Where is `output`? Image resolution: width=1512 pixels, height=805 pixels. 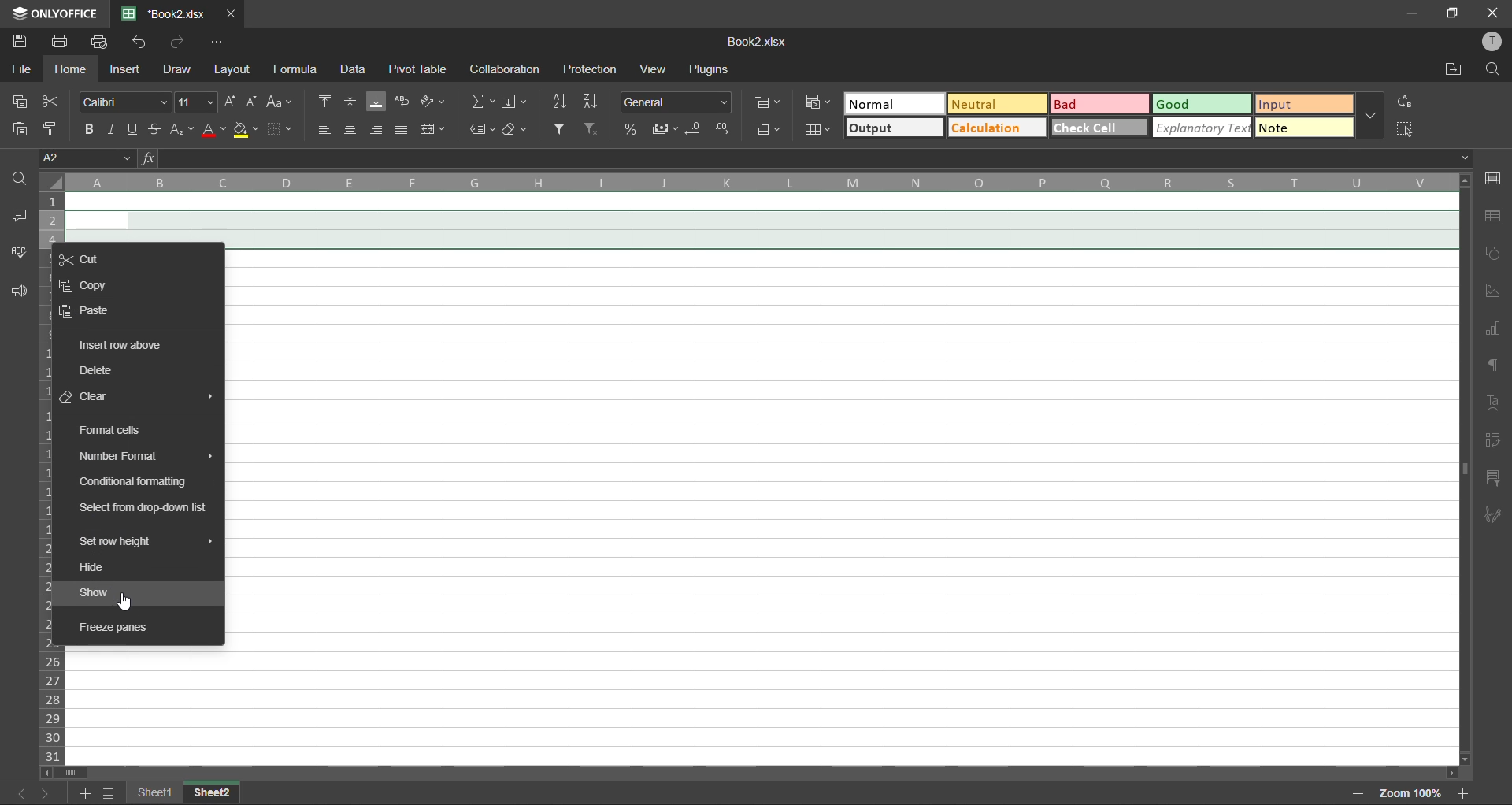 output is located at coordinates (895, 128).